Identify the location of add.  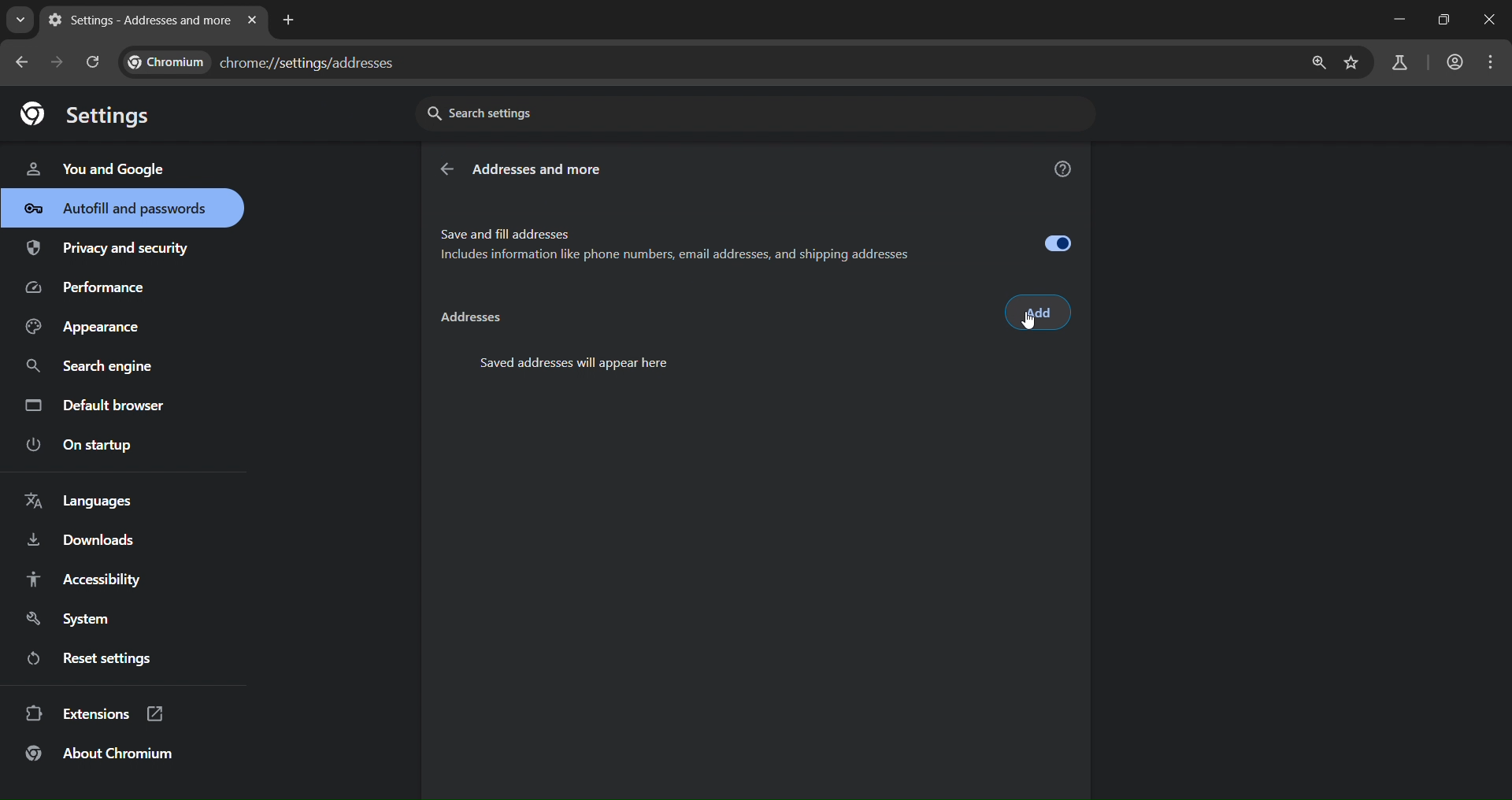
(1038, 313).